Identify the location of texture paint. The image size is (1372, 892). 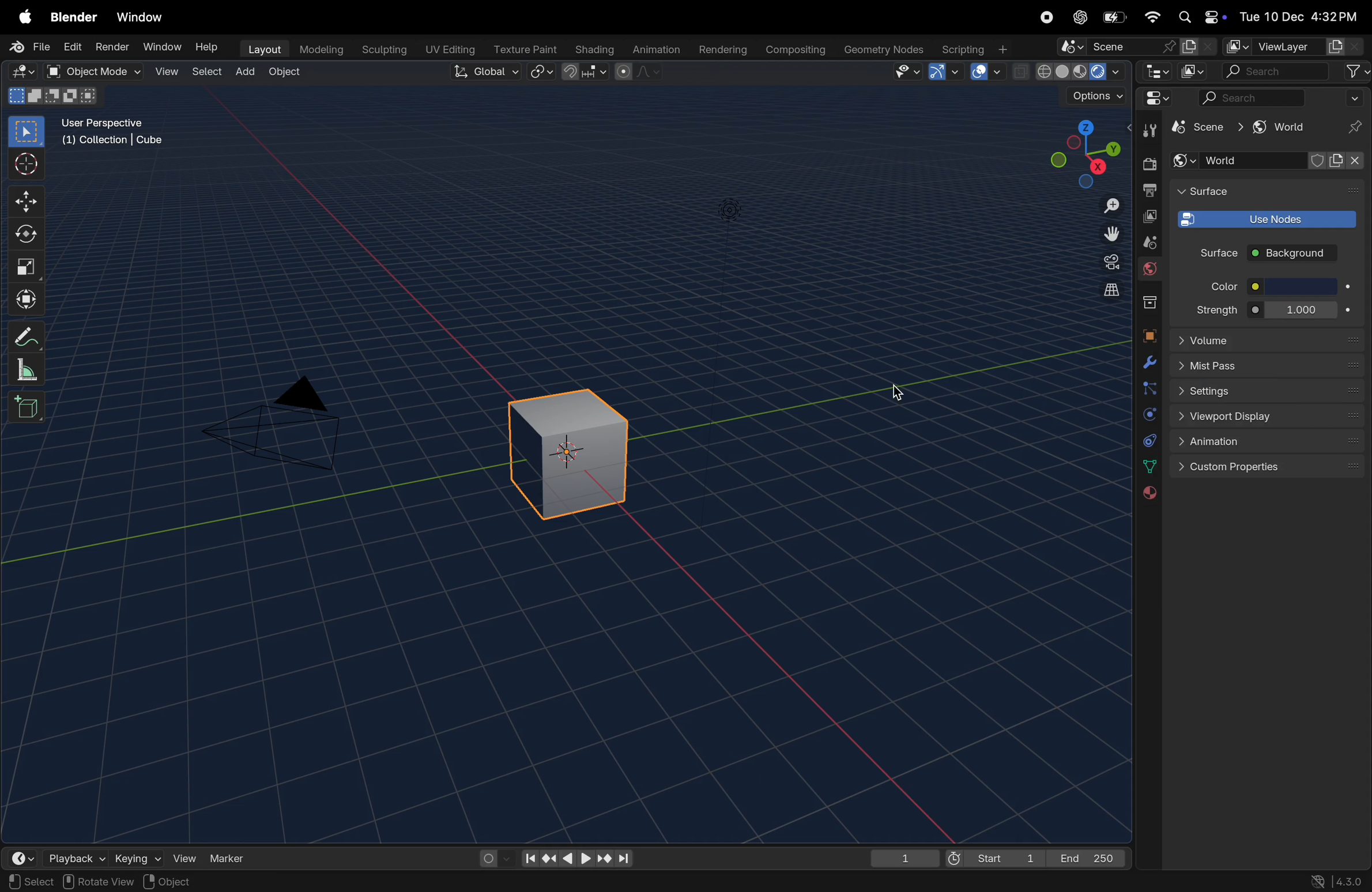
(522, 48).